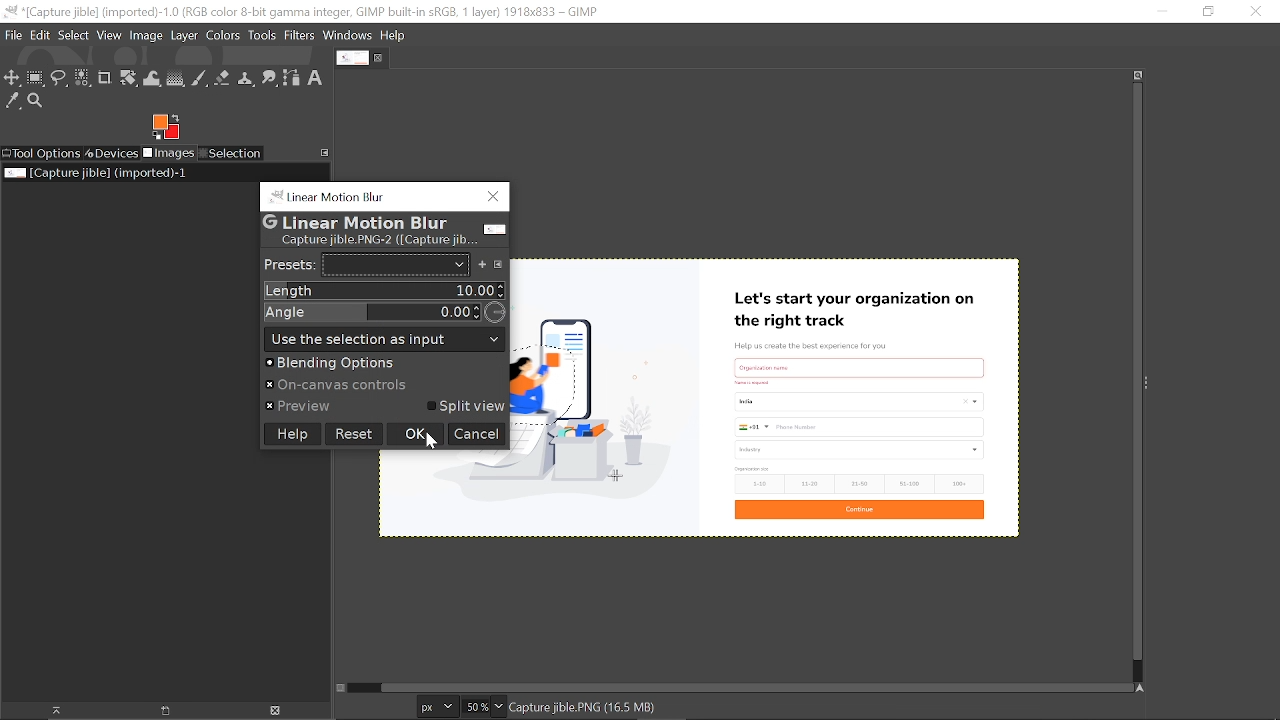 This screenshot has width=1280, height=720. I want to click on Move tool, so click(12, 77).